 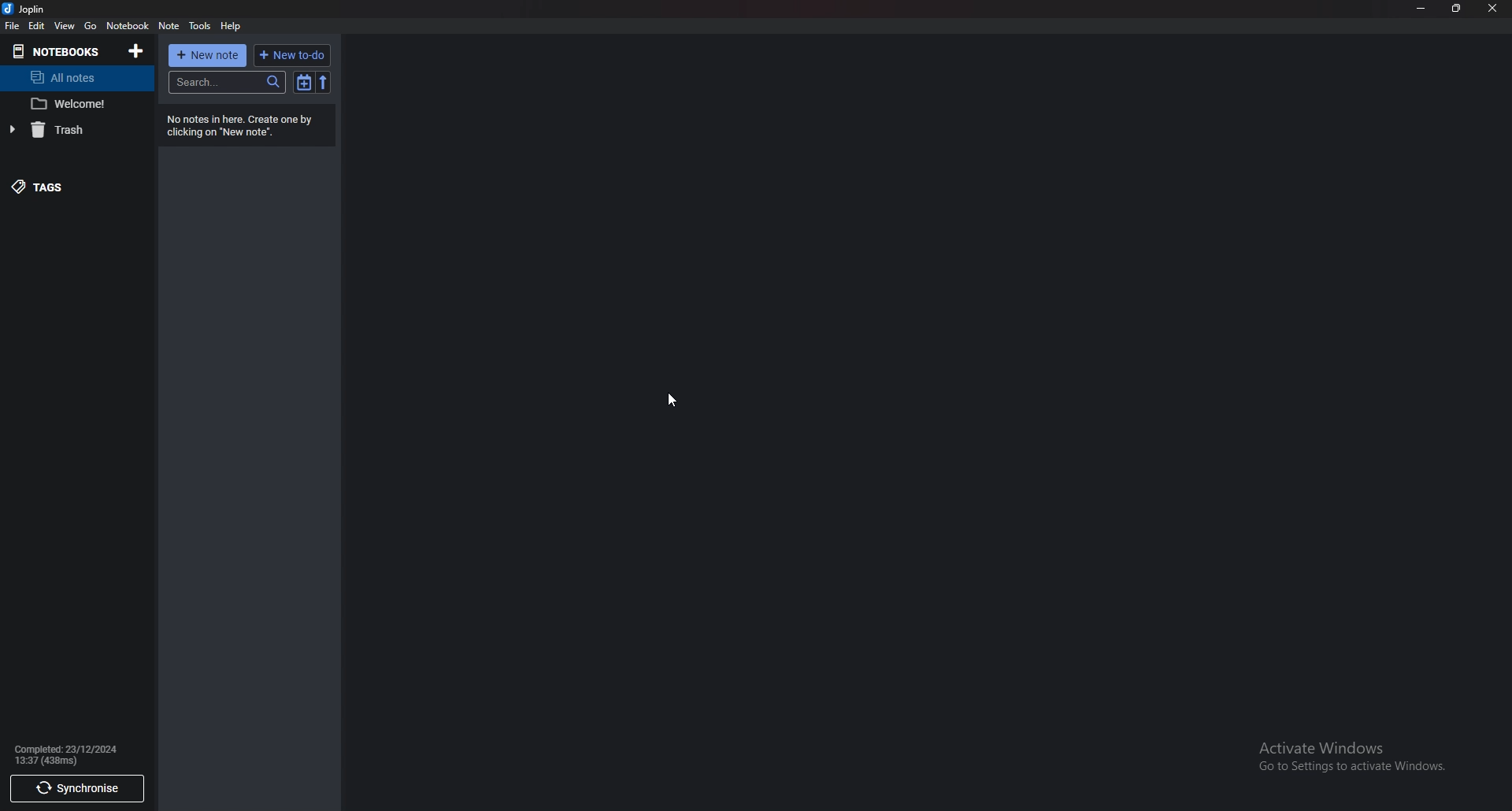 What do you see at coordinates (170, 26) in the screenshot?
I see `note` at bounding box center [170, 26].